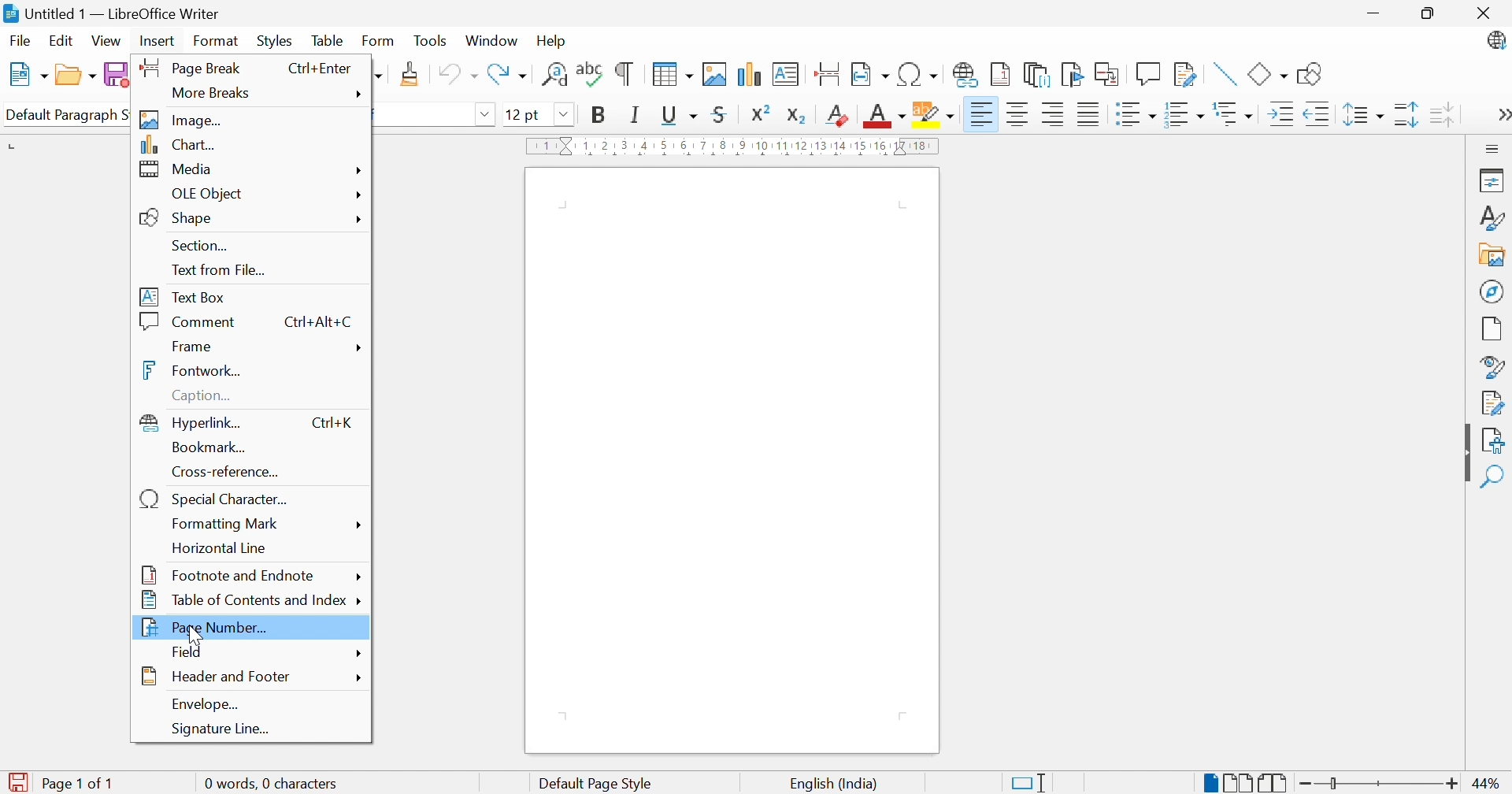 The width and height of the screenshot is (1512, 794). Describe the element at coordinates (189, 651) in the screenshot. I see `Field` at that location.